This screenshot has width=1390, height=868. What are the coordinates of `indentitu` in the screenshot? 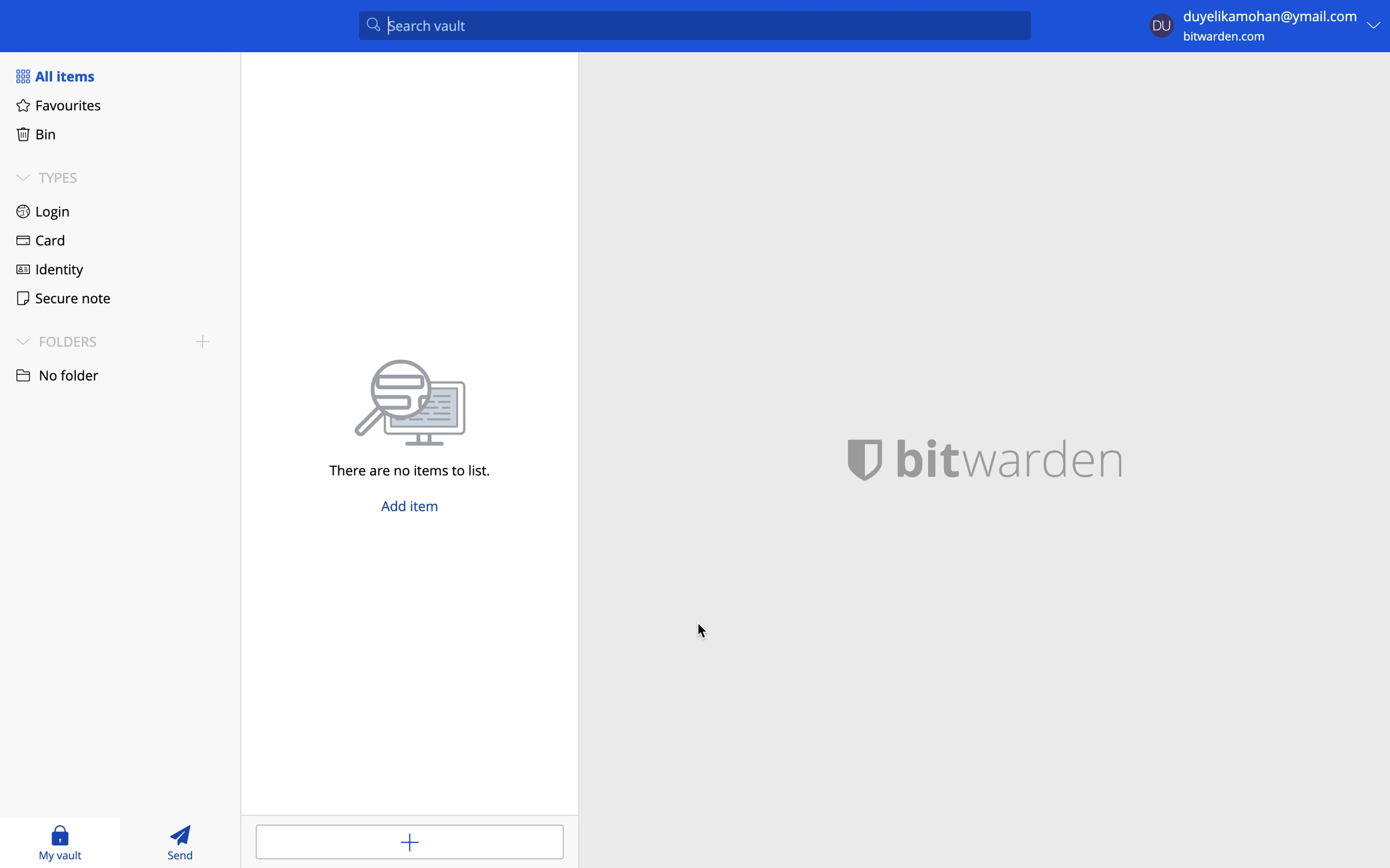 It's located at (56, 270).